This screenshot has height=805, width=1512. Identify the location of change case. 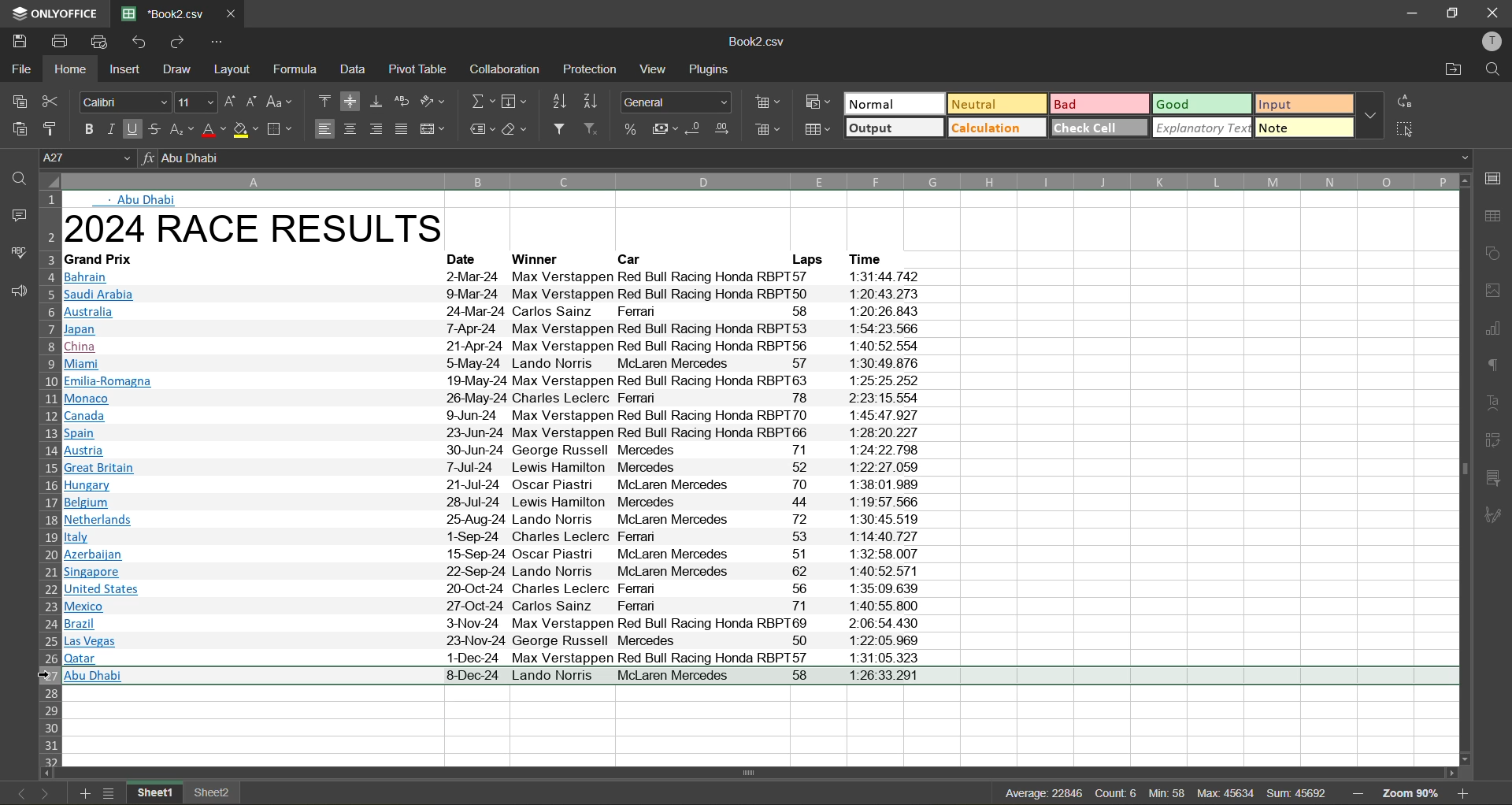
(282, 102).